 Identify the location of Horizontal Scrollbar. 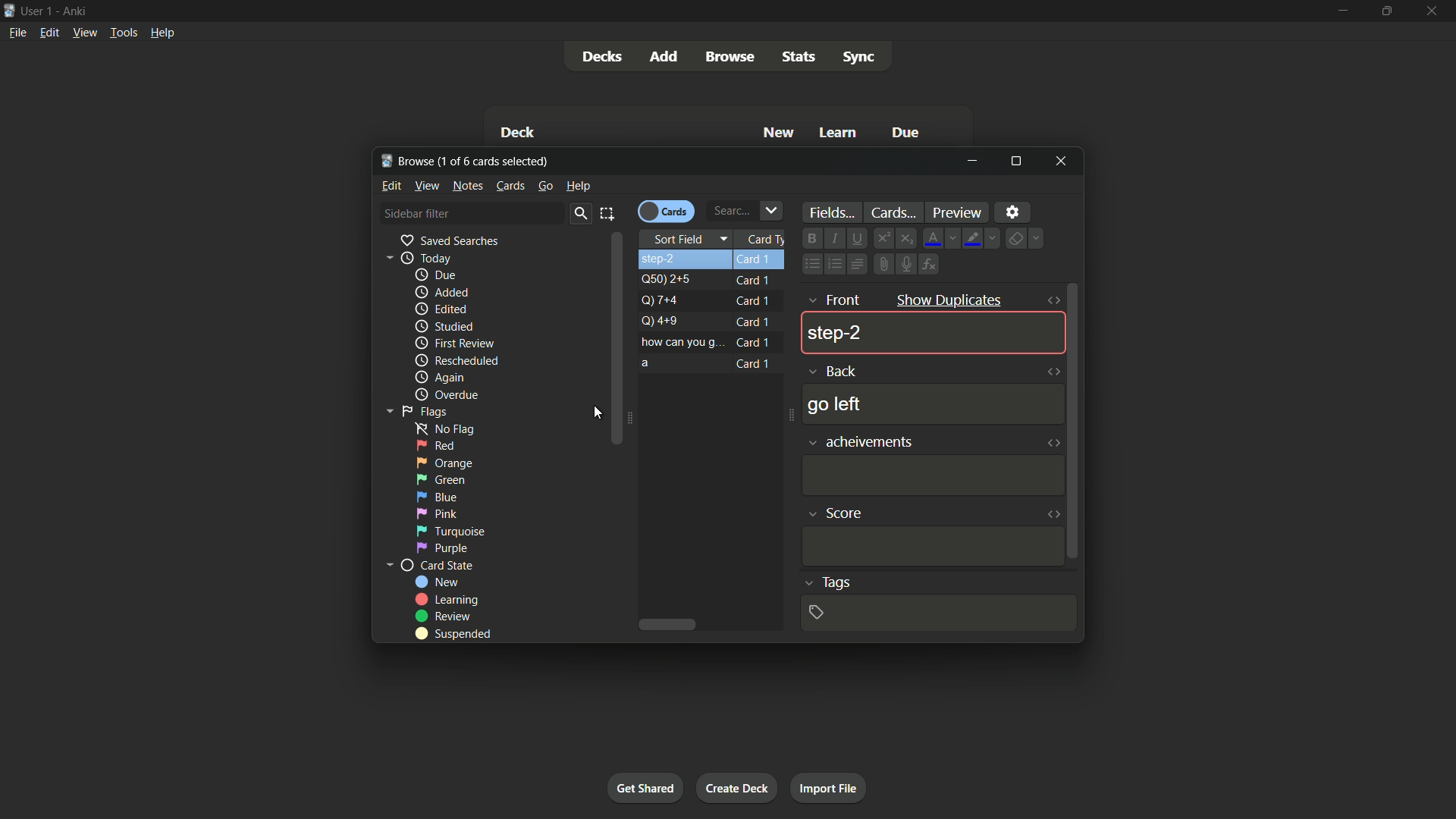
(673, 626).